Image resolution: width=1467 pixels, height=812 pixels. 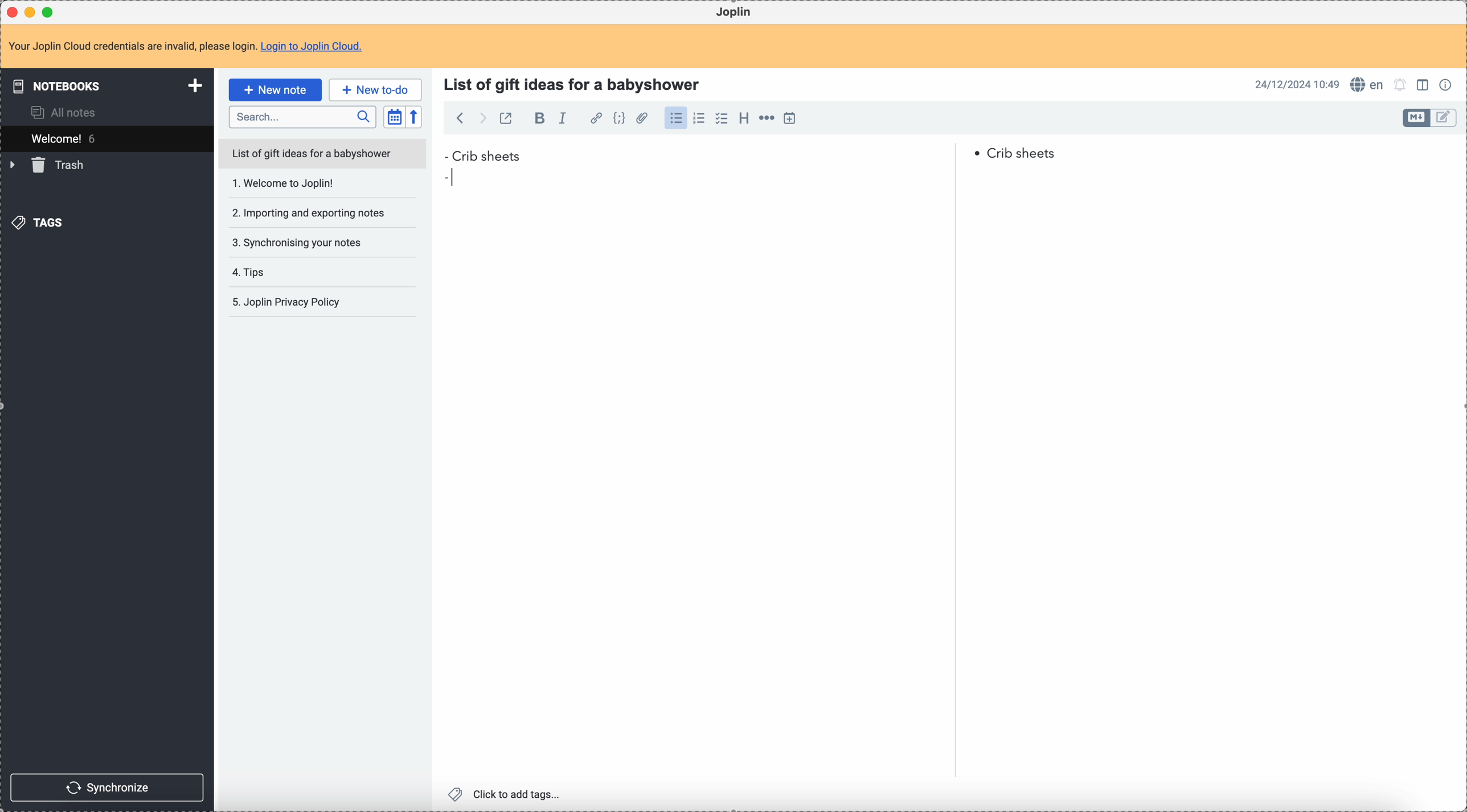 I want to click on new to-do, so click(x=375, y=89).